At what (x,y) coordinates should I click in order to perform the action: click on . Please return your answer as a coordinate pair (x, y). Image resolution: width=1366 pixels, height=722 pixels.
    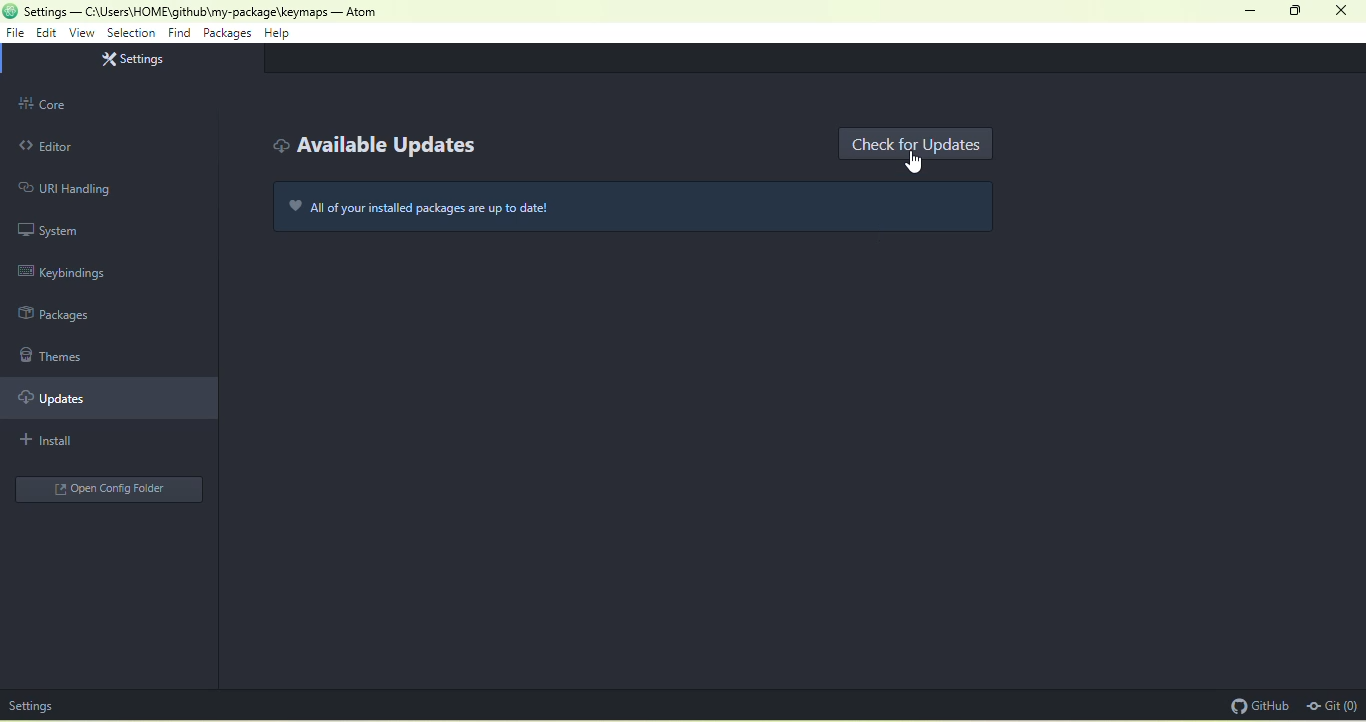
    Looking at the image, I should click on (67, 317).